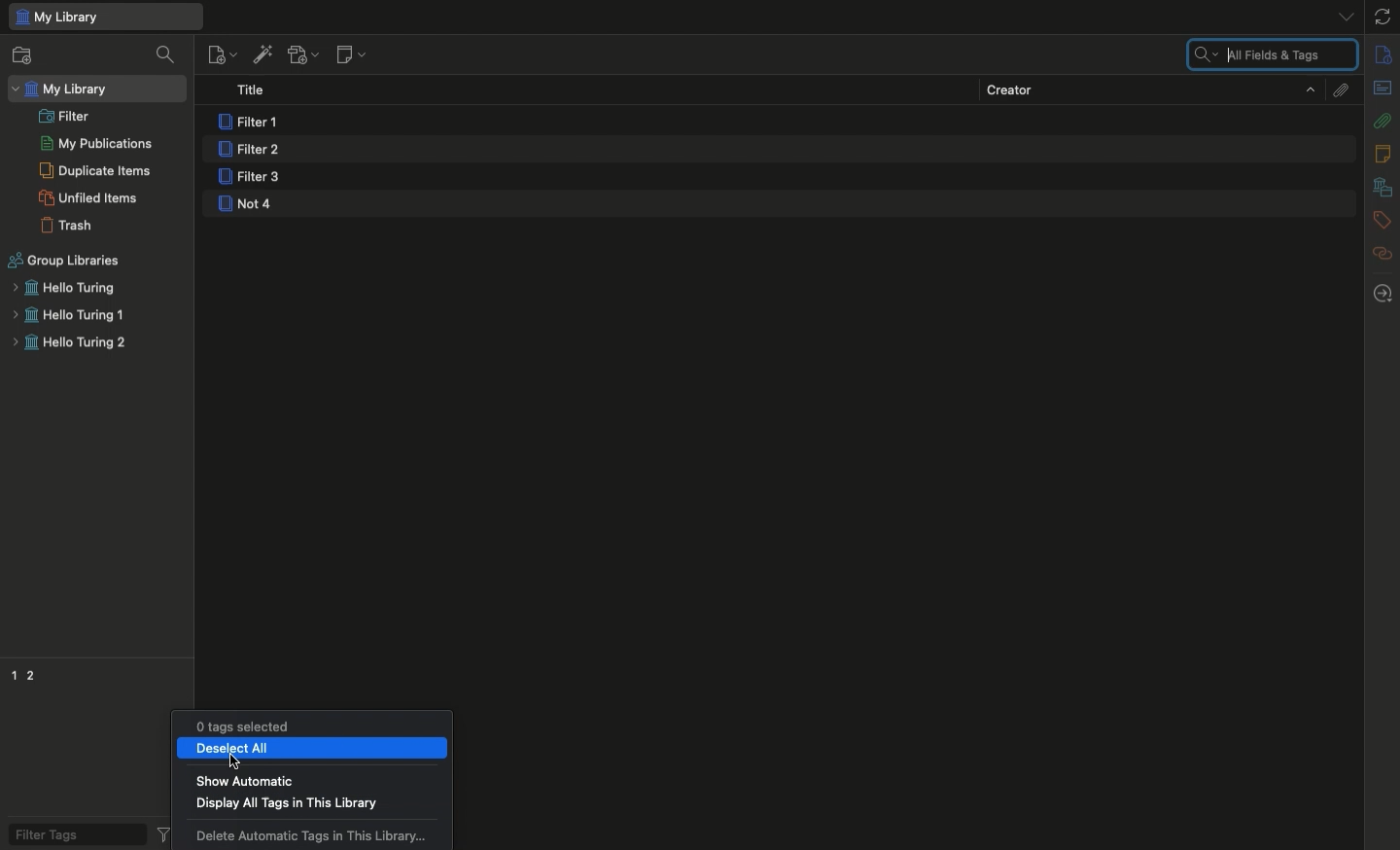 Image resolution: width=1400 pixels, height=850 pixels. I want to click on Filter collections, so click(168, 54).